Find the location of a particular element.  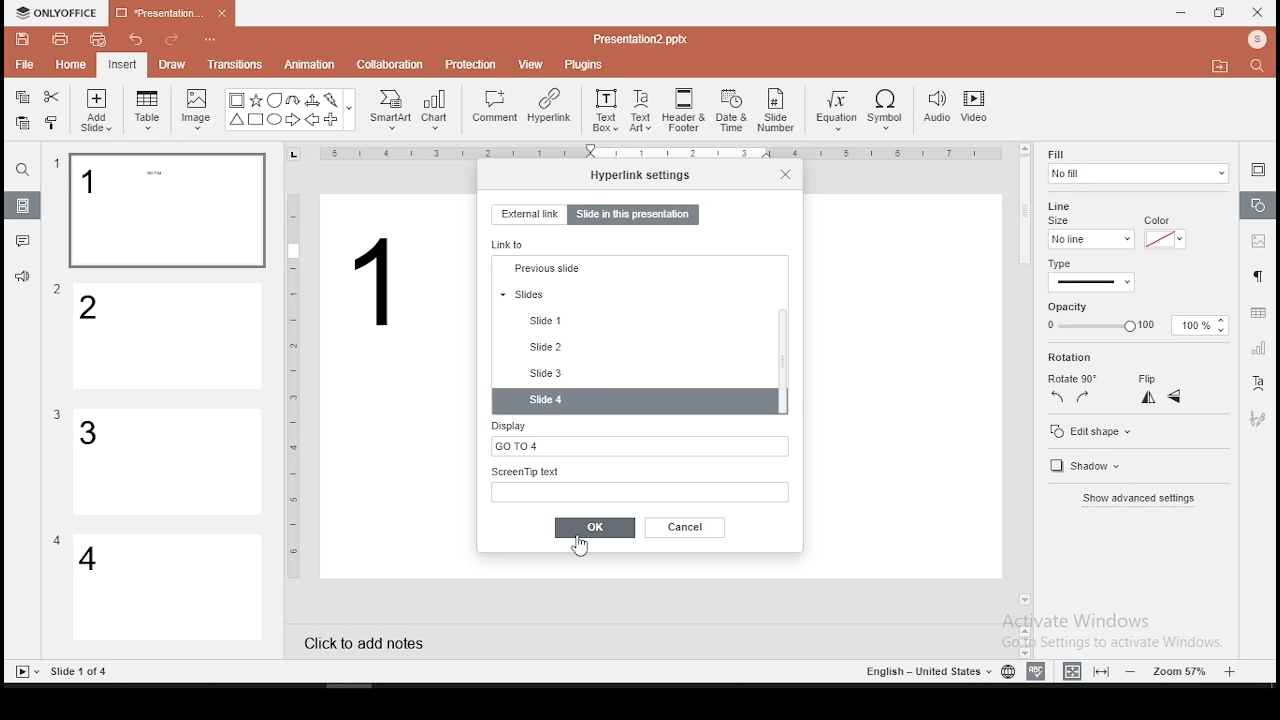

next slide is located at coordinates (632, 317).